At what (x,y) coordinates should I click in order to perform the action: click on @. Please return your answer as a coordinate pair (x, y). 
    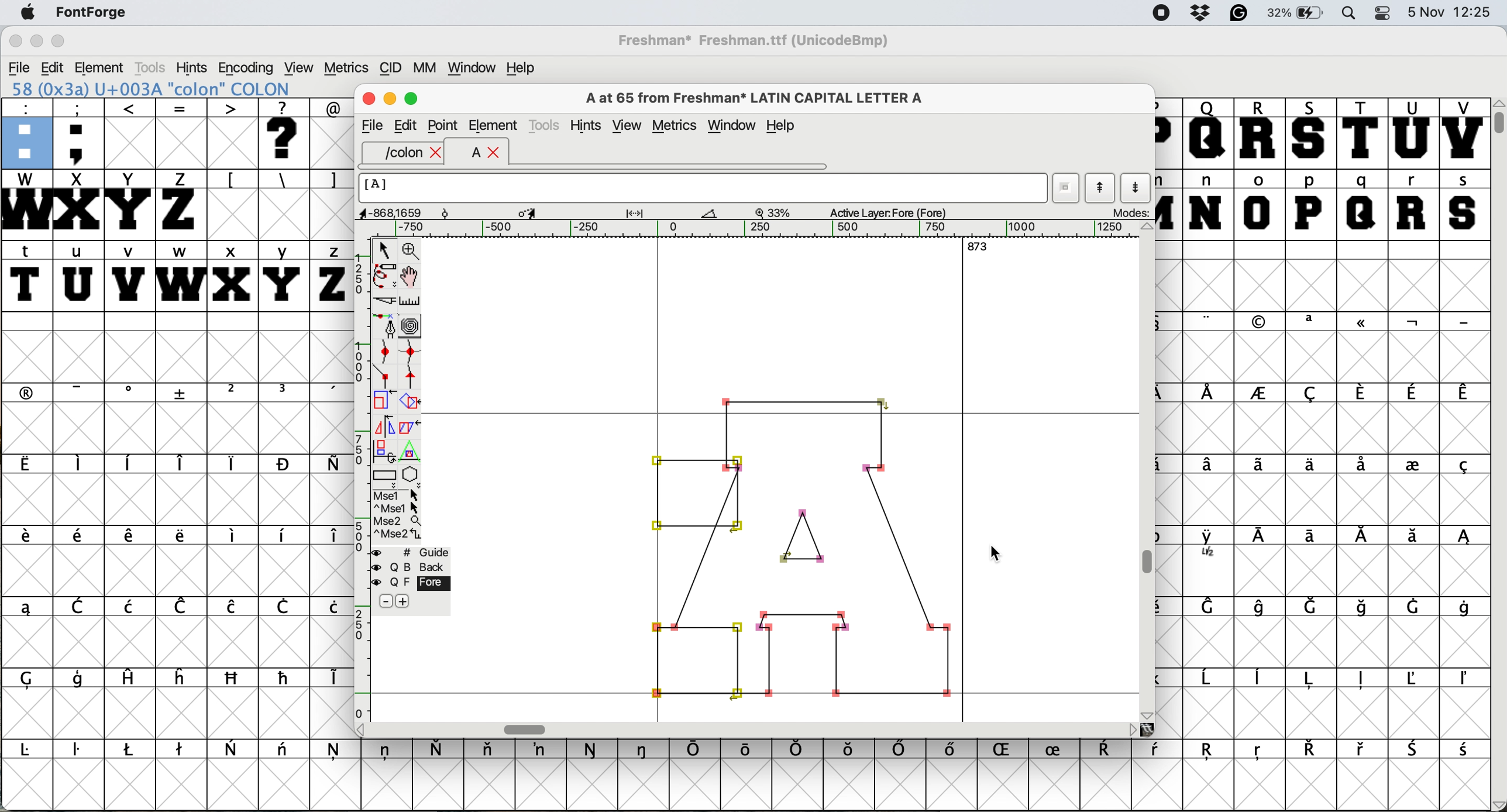
    Looking at the image, I should click on (331, 106).